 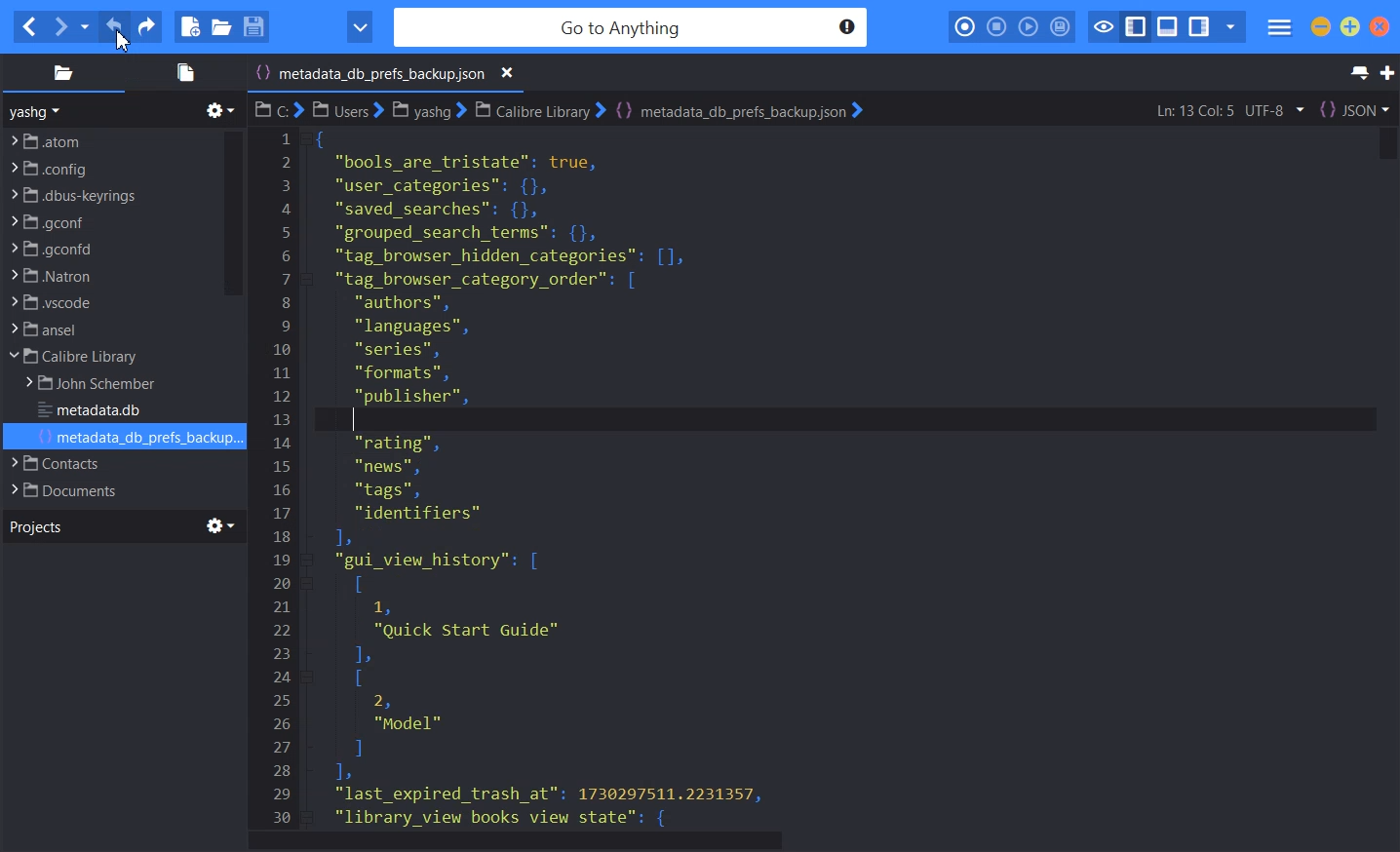 What do you see at coordinates (1280, 28) in the screenshot?
I see `Menu` at bounding box center [1280, 28].